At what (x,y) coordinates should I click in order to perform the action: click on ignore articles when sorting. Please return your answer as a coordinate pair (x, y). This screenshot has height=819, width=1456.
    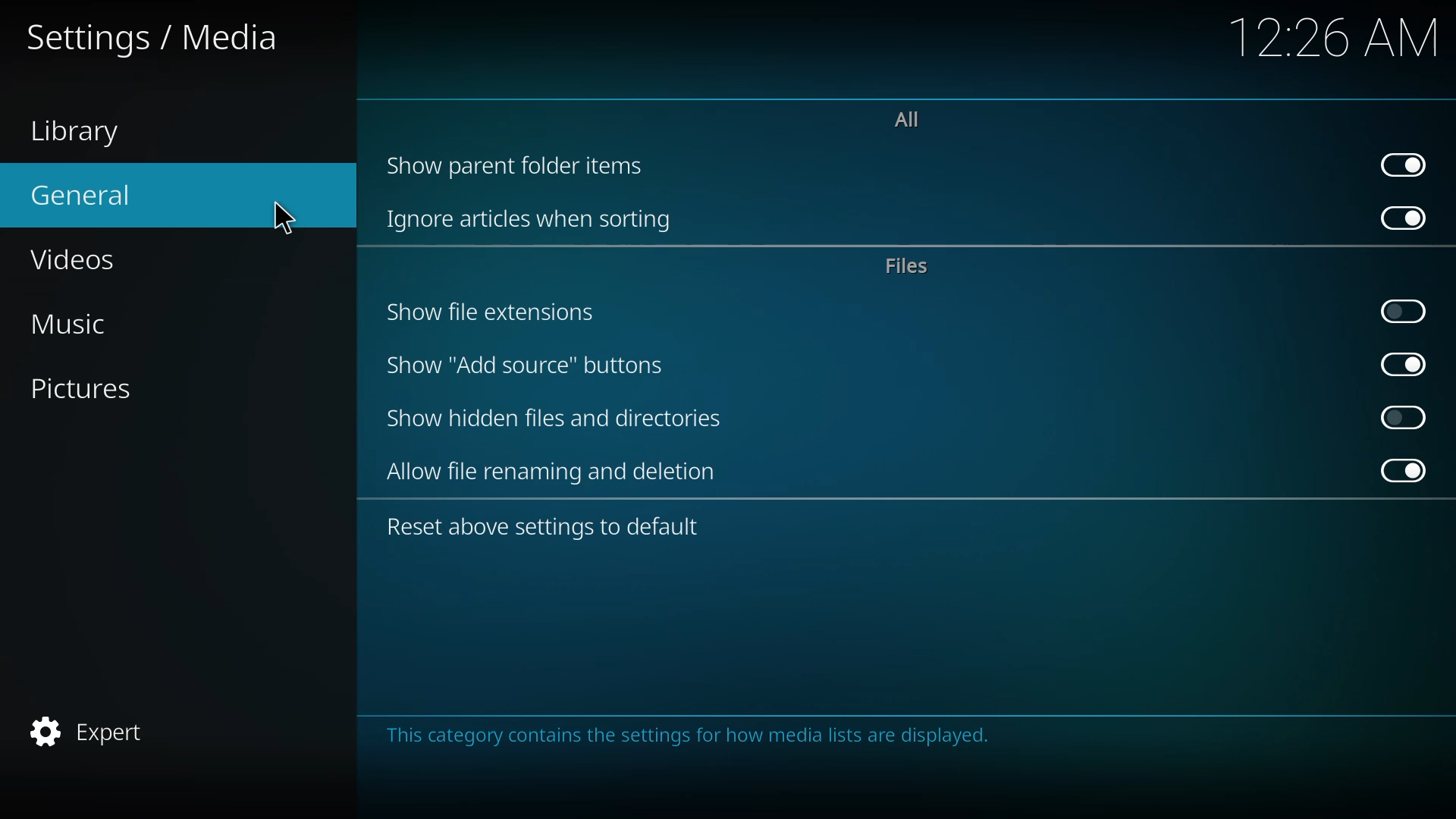
    Looking at the image, I should click on (535, 221).